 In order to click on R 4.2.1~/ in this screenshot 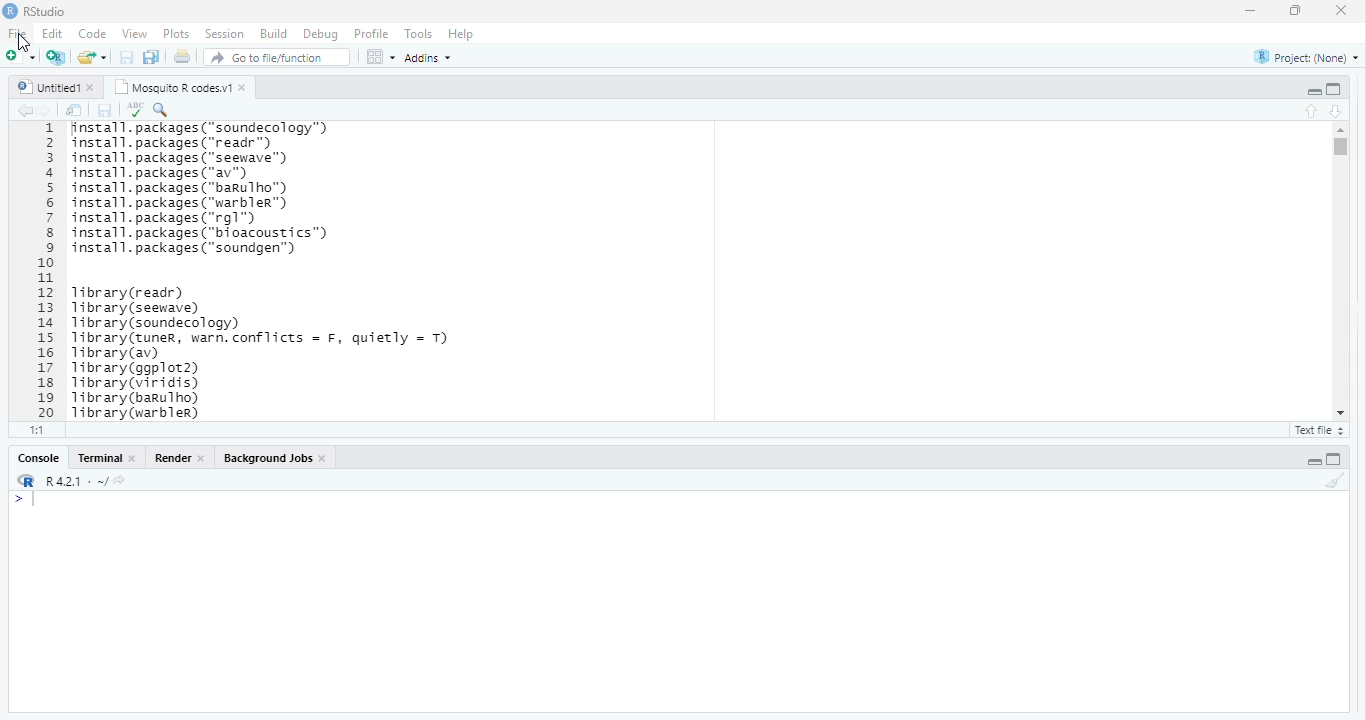, I will do `click(77, 482)`.